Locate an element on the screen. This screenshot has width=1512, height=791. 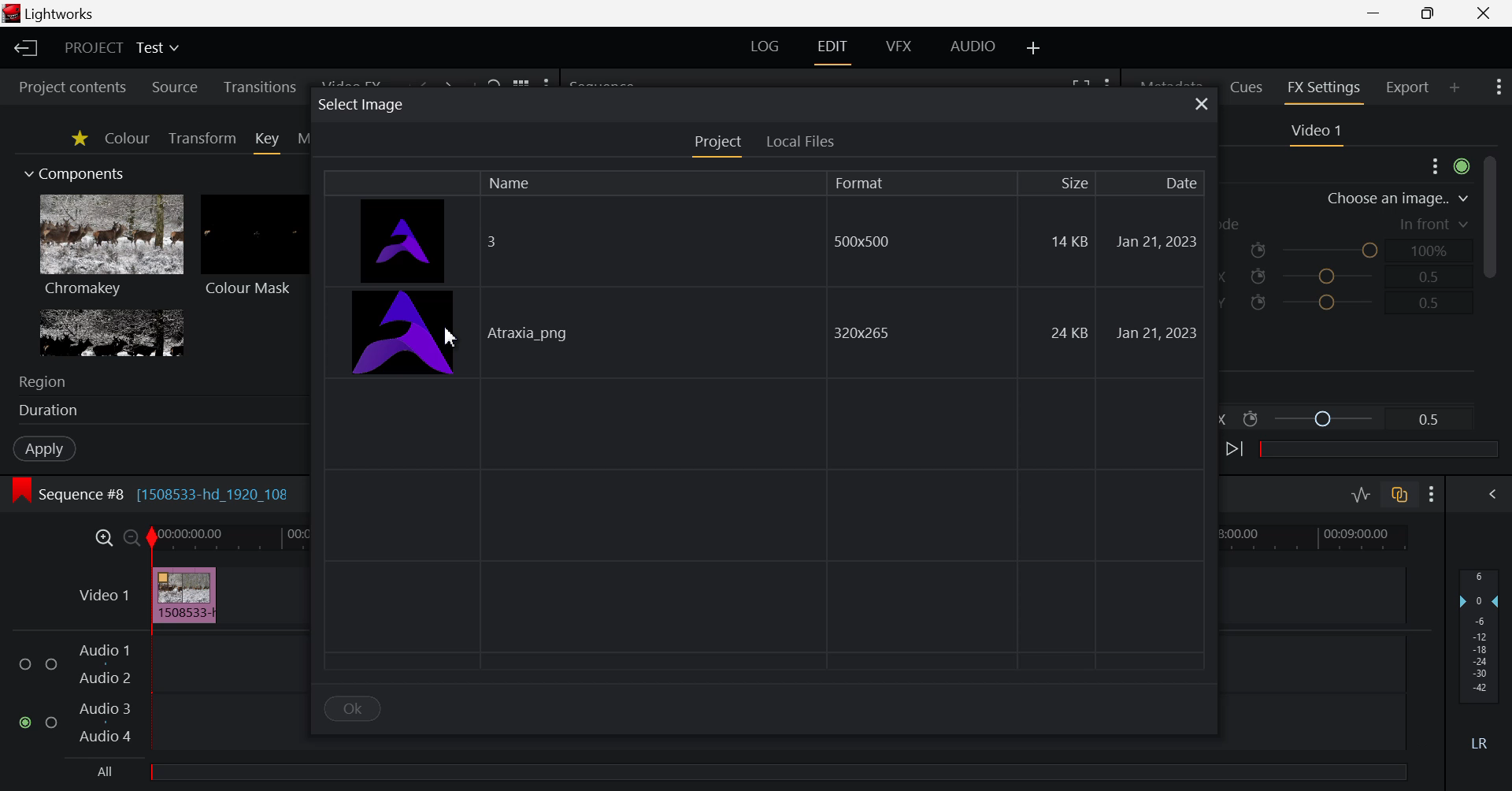
Video 1 is located at coordinates (98, 597).